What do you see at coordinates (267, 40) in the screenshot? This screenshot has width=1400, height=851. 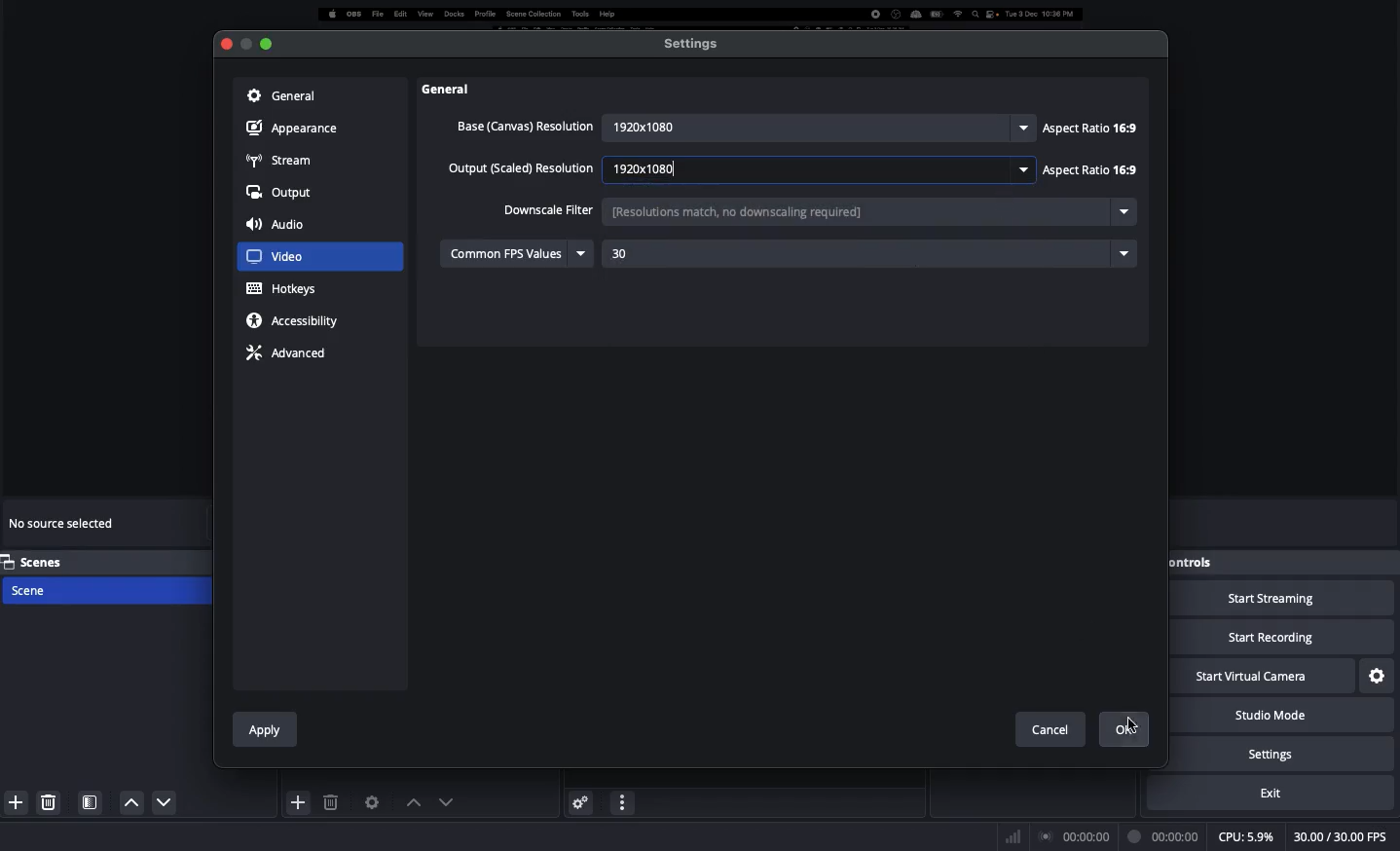 I see `minimize` at bounding box center [267, 40].